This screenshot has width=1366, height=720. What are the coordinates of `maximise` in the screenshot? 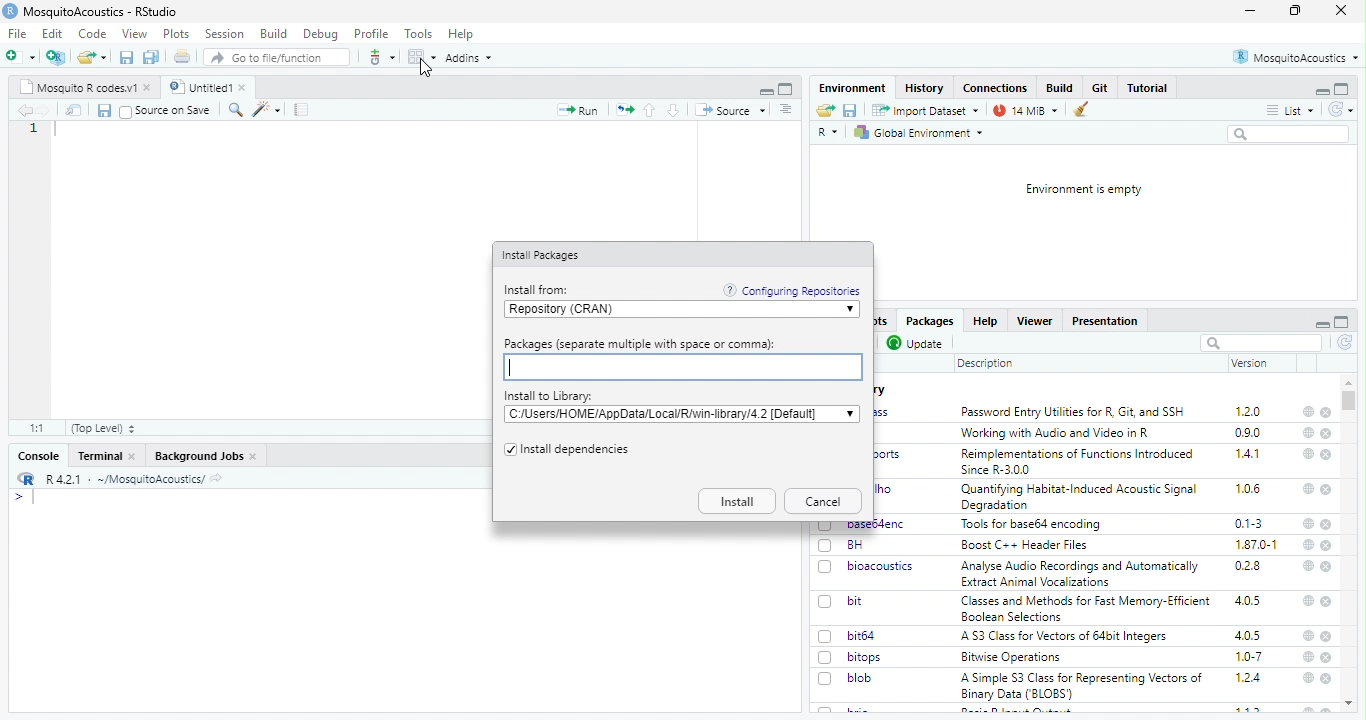 It's located at (1342, 322).